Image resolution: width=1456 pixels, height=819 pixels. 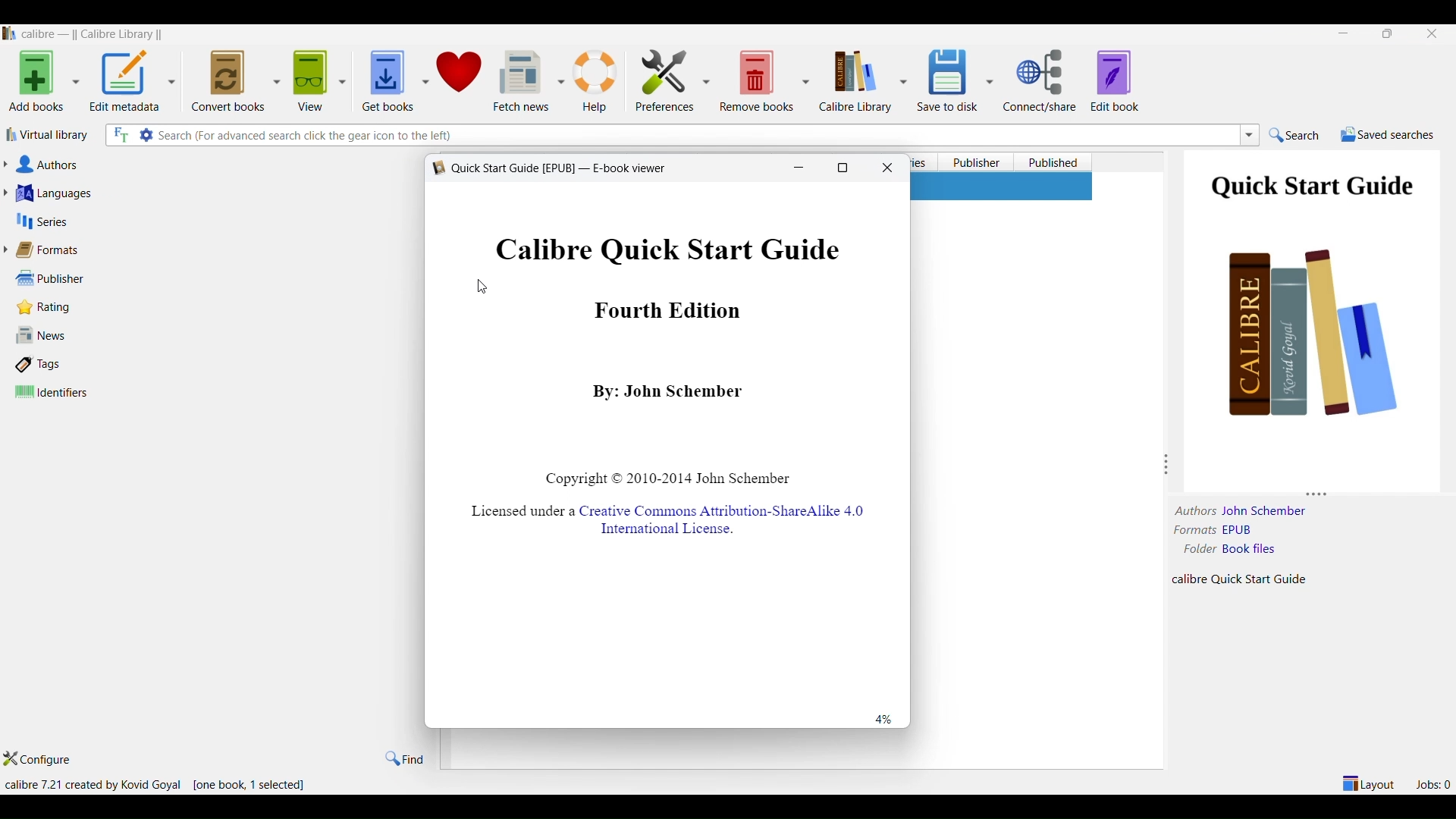 I want to click on find, so click(x=406, y=758).